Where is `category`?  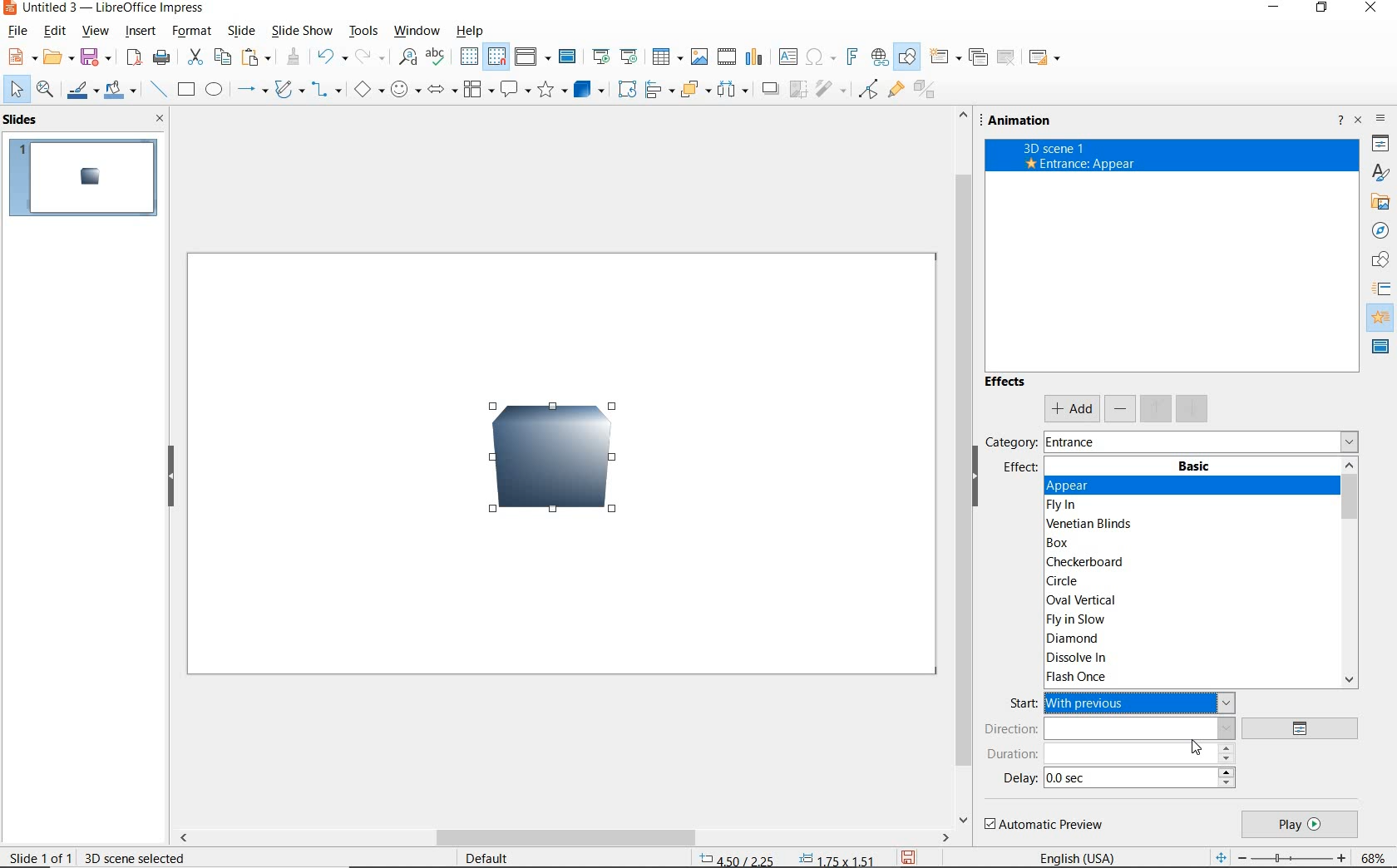
category is located at coordinates (1009, 441).